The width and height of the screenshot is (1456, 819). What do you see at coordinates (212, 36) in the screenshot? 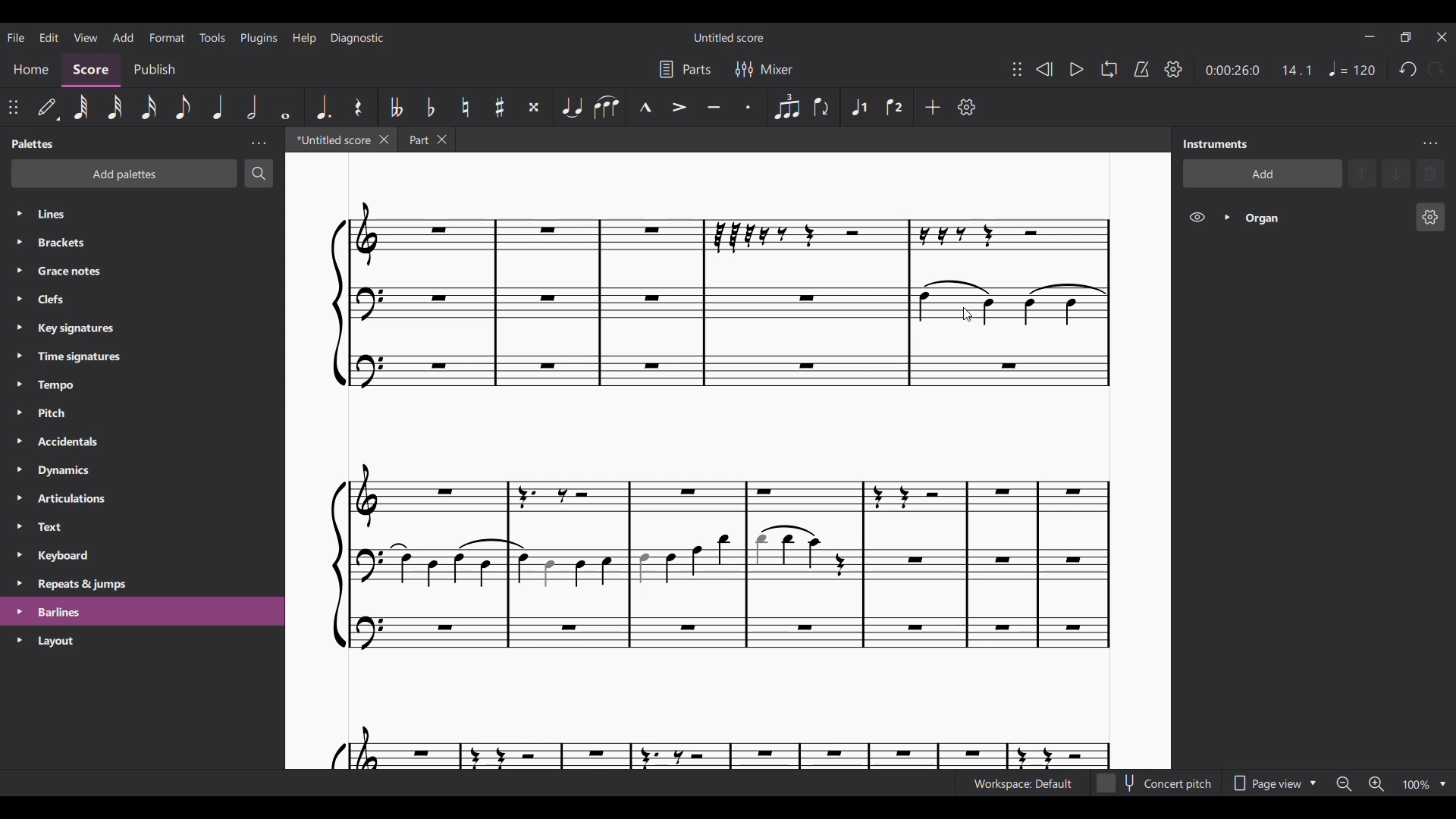
I see `Tools menu` at bounding box center [212, 36].